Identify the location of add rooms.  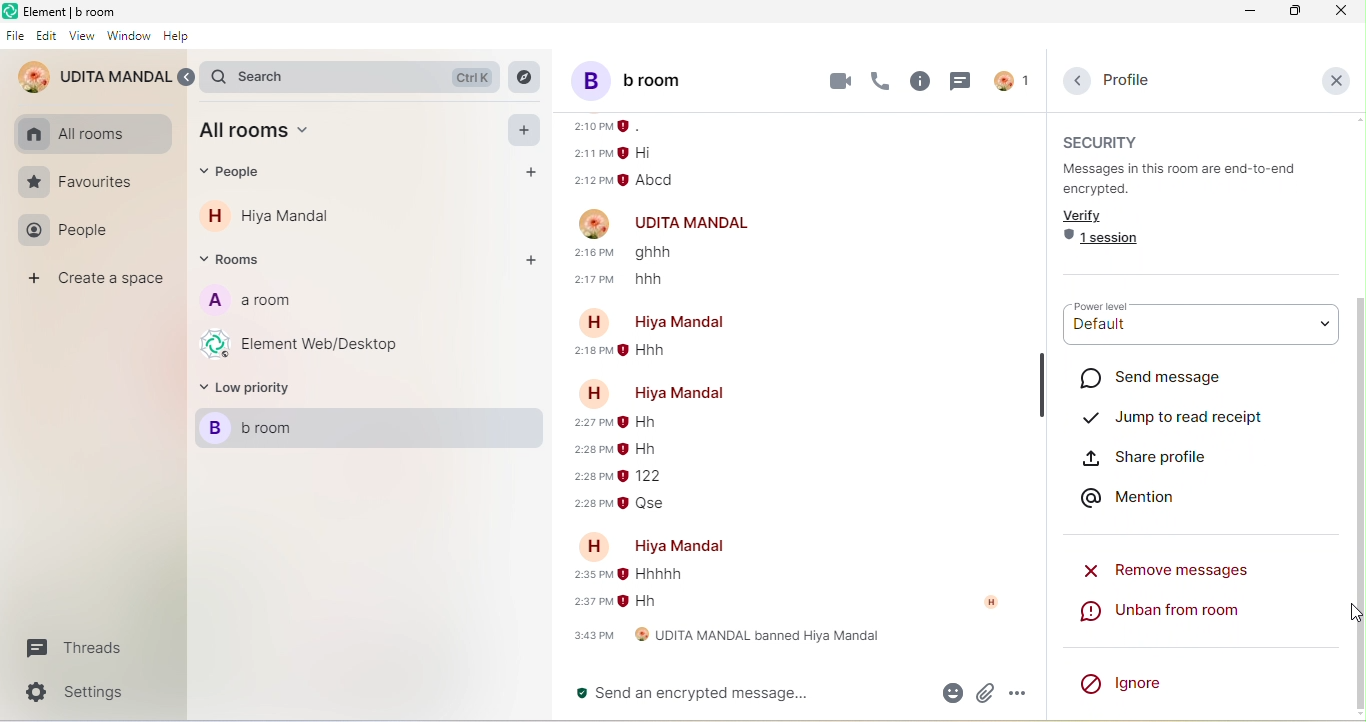
(529, 260).